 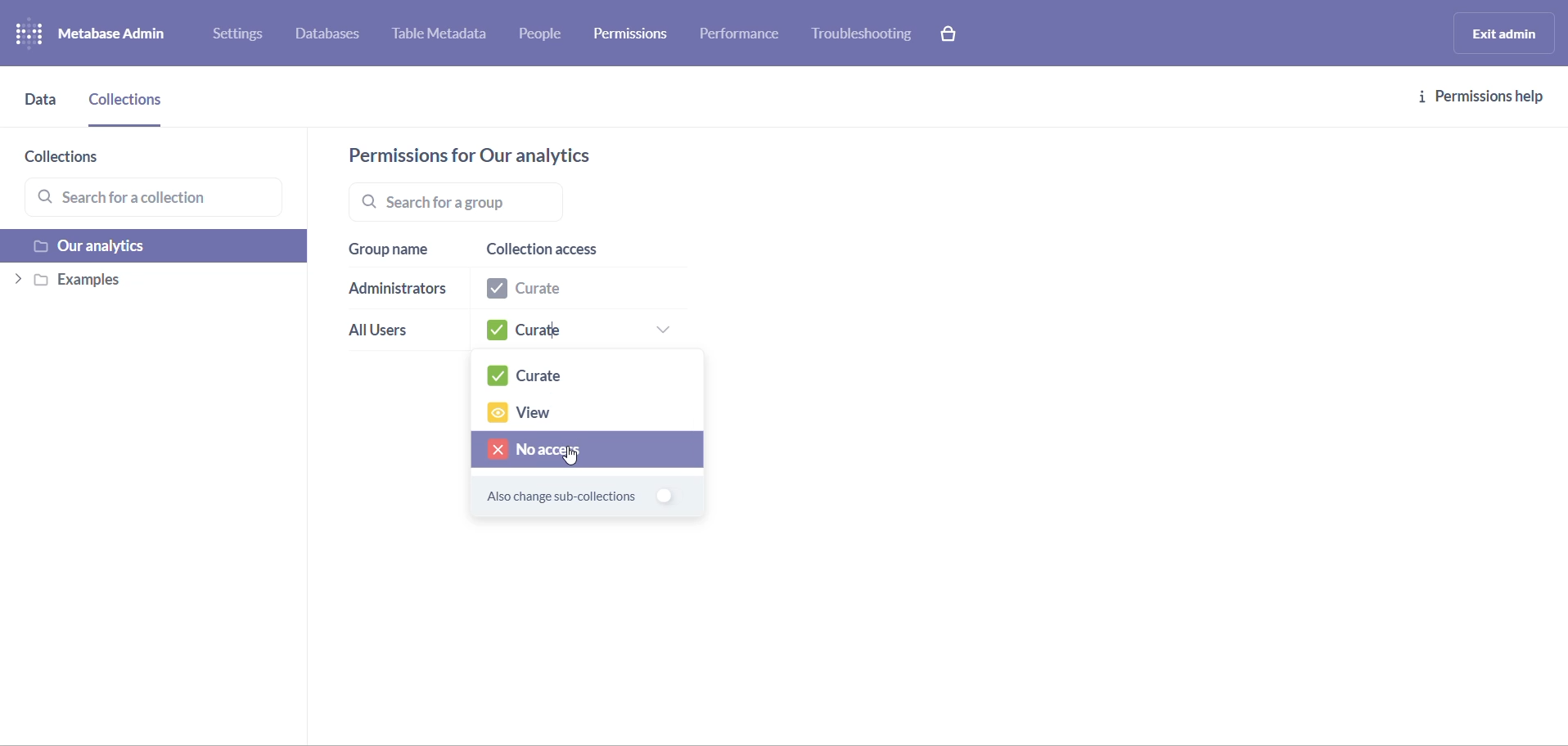 I want to click on logo and name, so click(x=105, y=34).